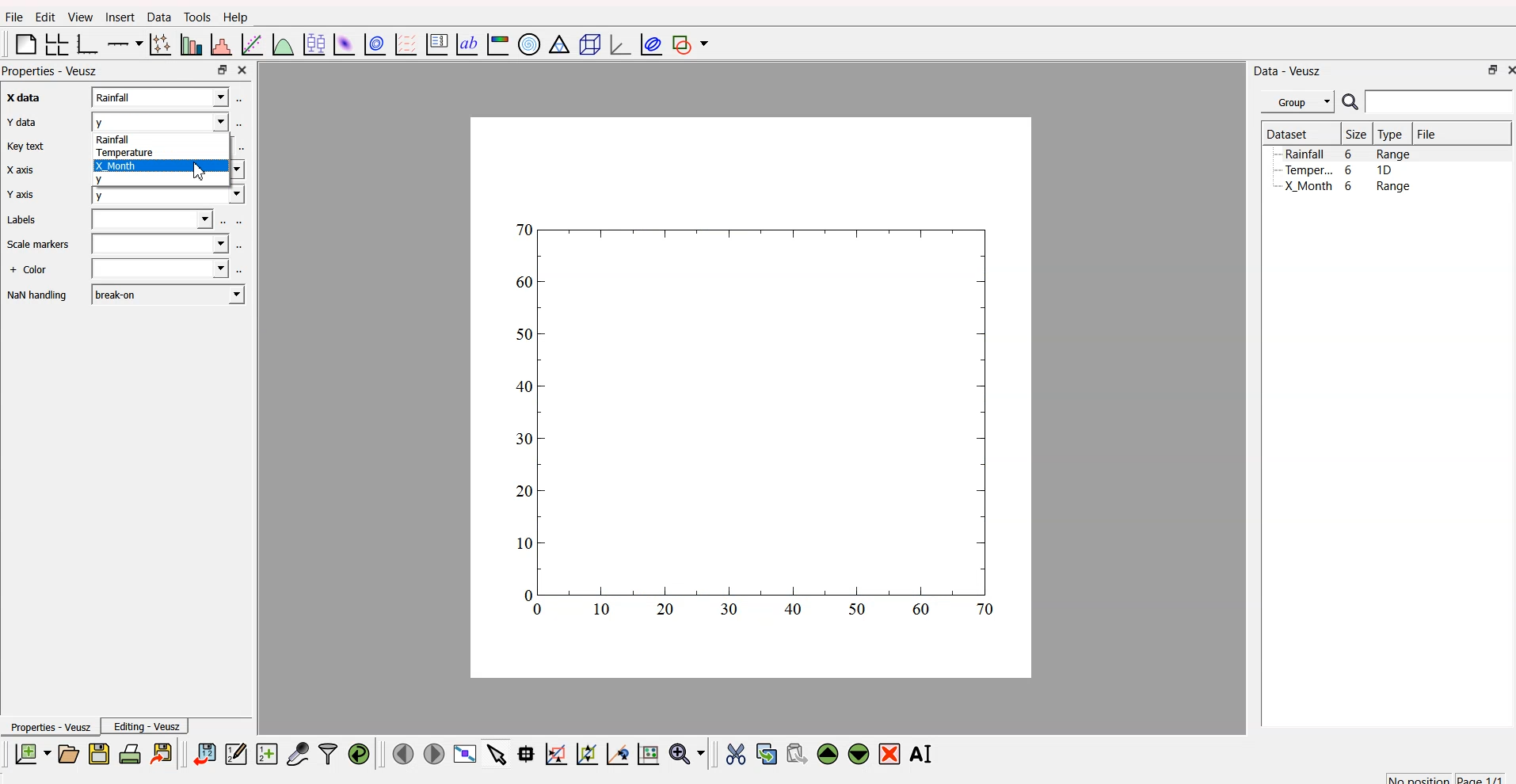  Describe the element at coordinates (148, 726) in the screenshot. I see `Editing - Veusz |` at that location.